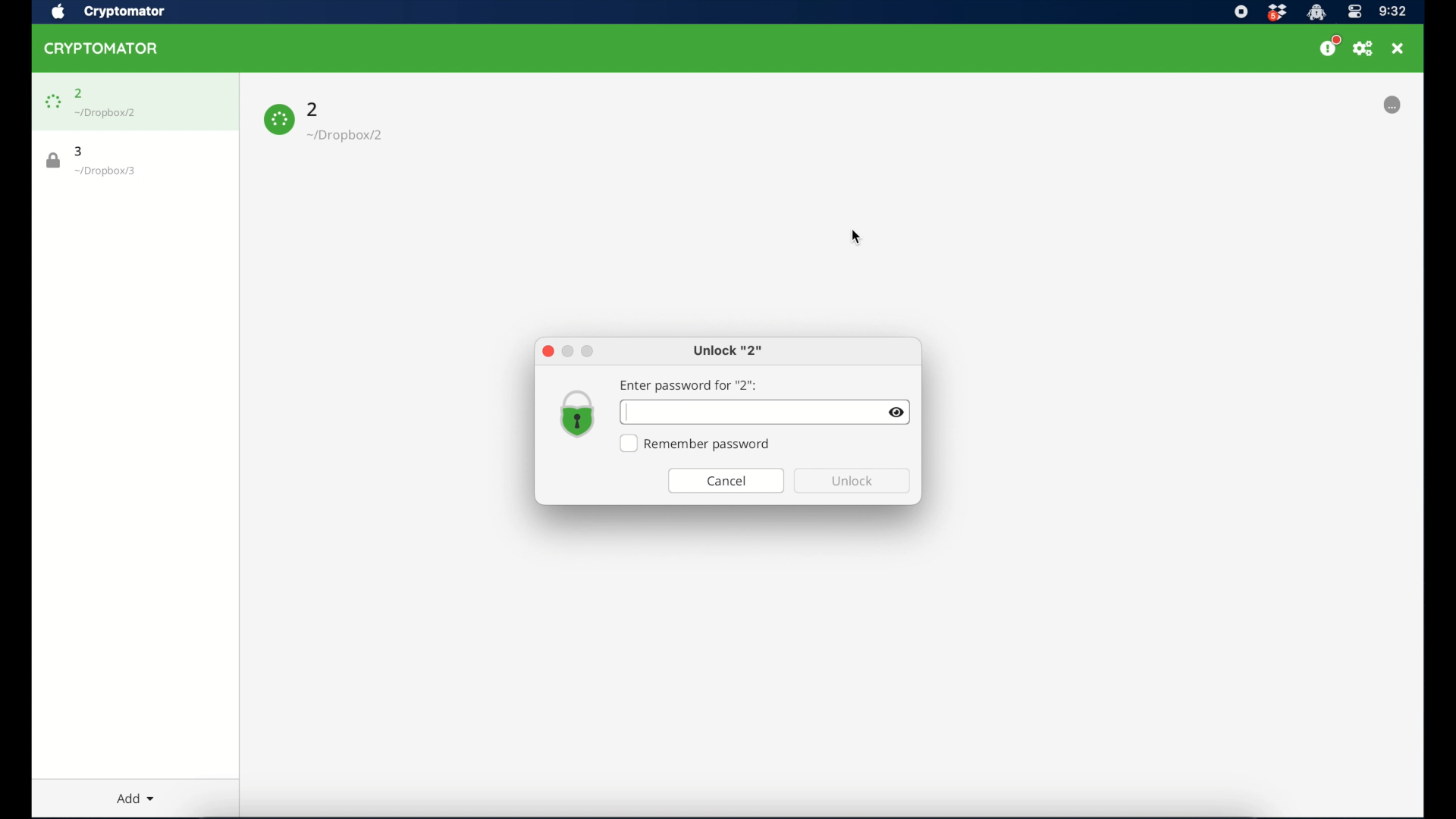 The width and height of the screenshot is (1456, 819). I want to click on vault location, so click(105, 171).